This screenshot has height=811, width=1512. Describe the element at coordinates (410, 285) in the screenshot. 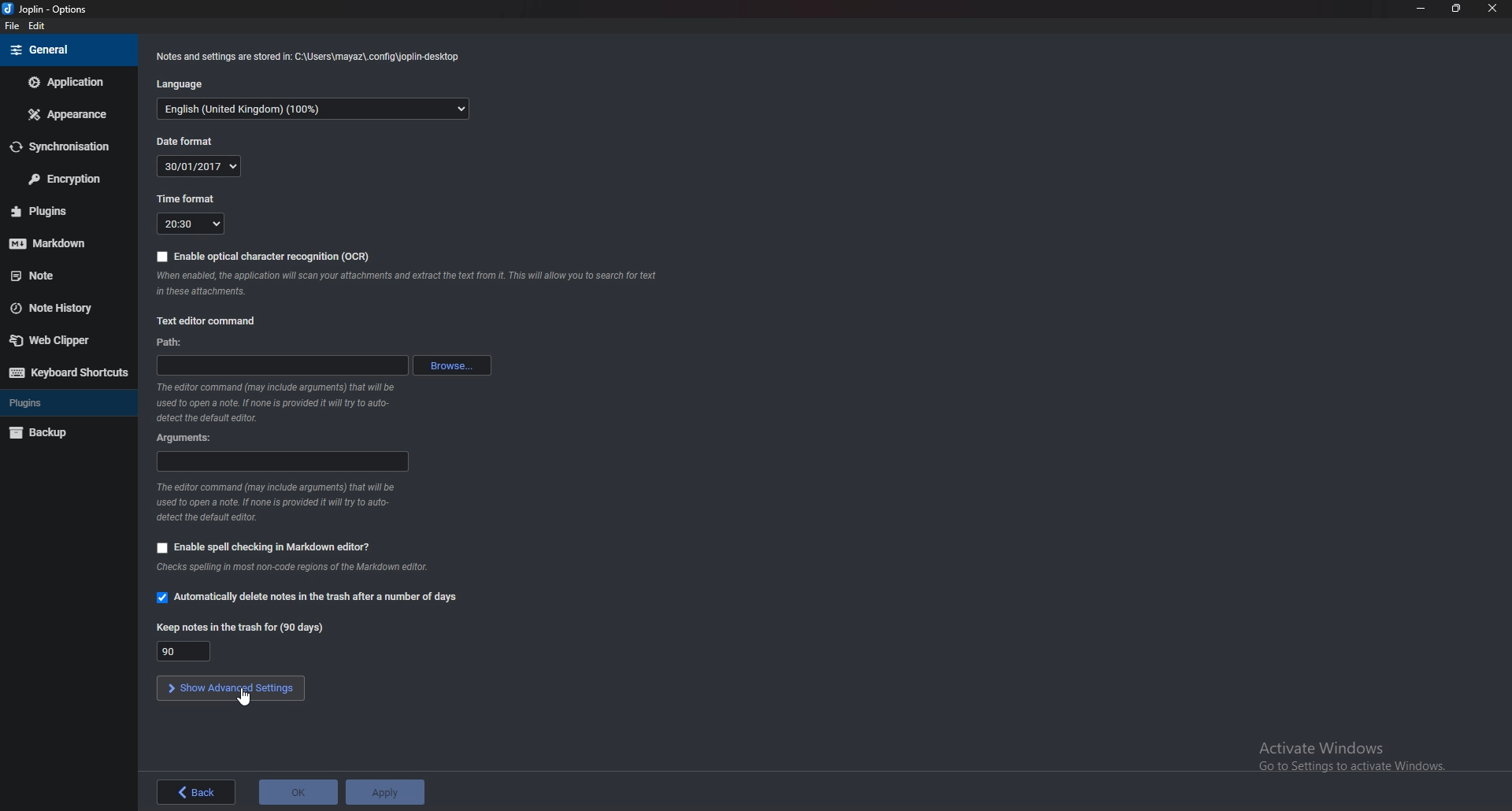

I see `Info on ocr` at that location.